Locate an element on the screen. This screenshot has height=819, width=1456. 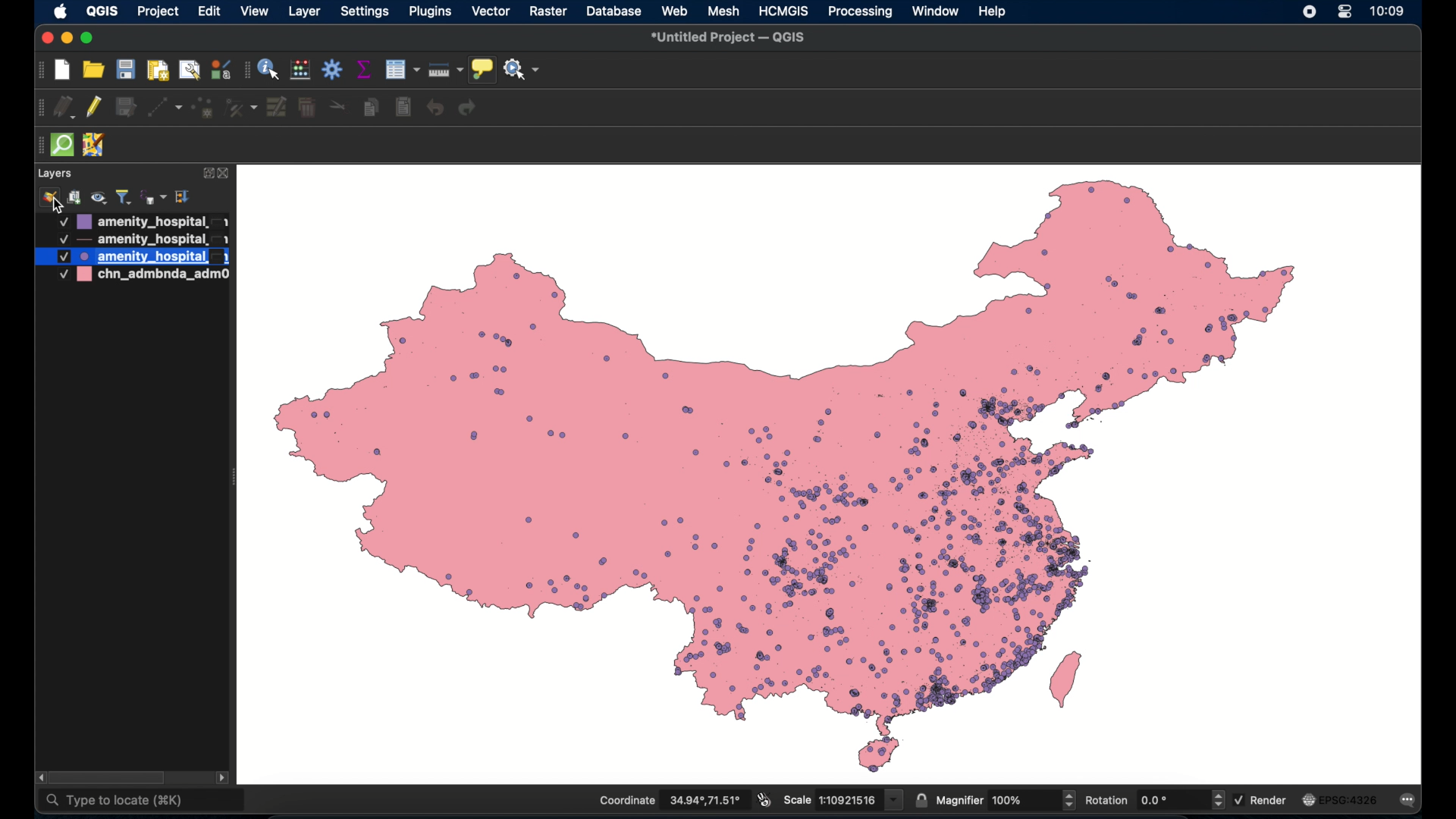
processing is located at coordinates (859, 12).